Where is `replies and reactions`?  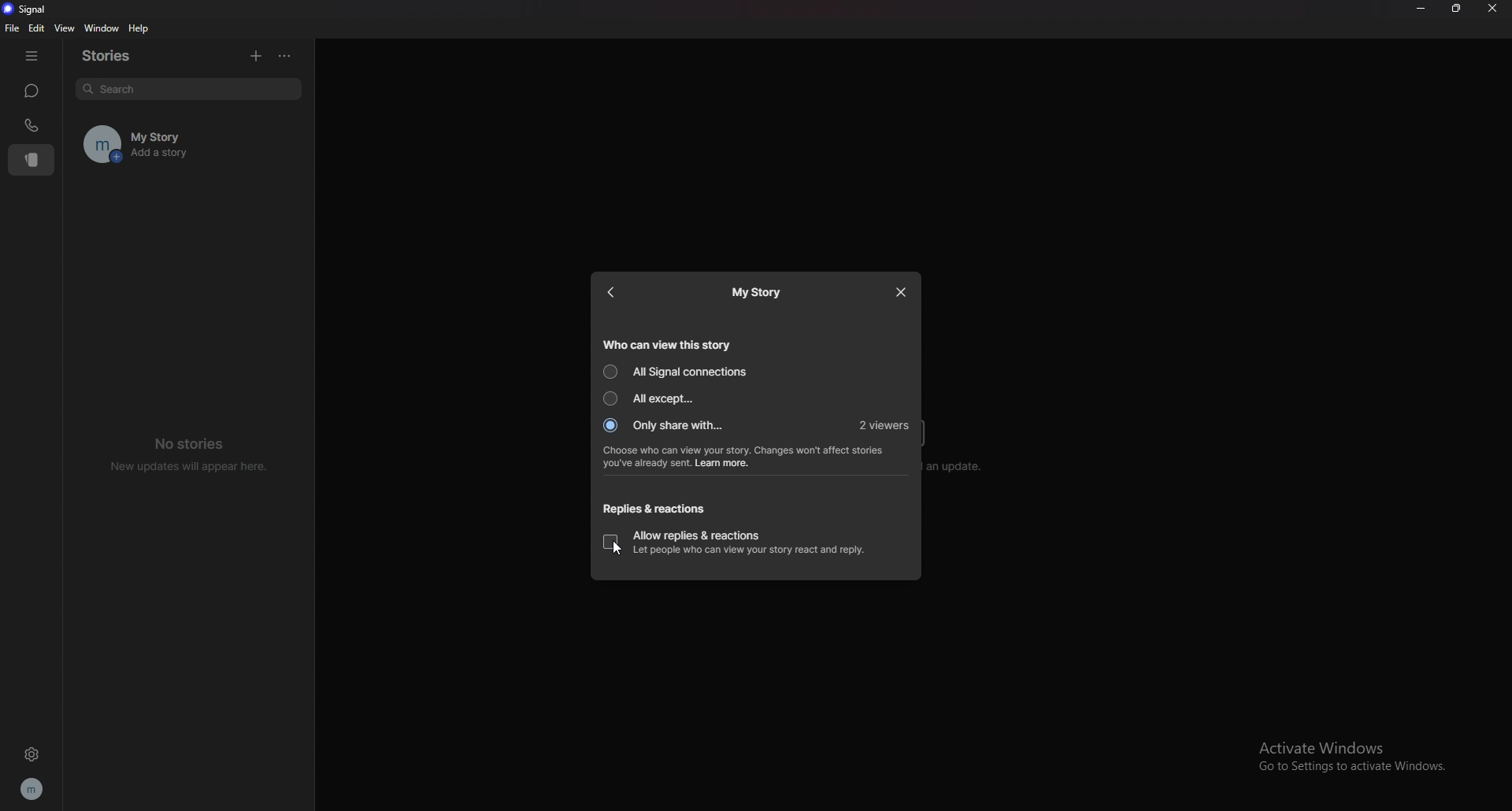
replies and reactions is located at coordinates (653, 509).